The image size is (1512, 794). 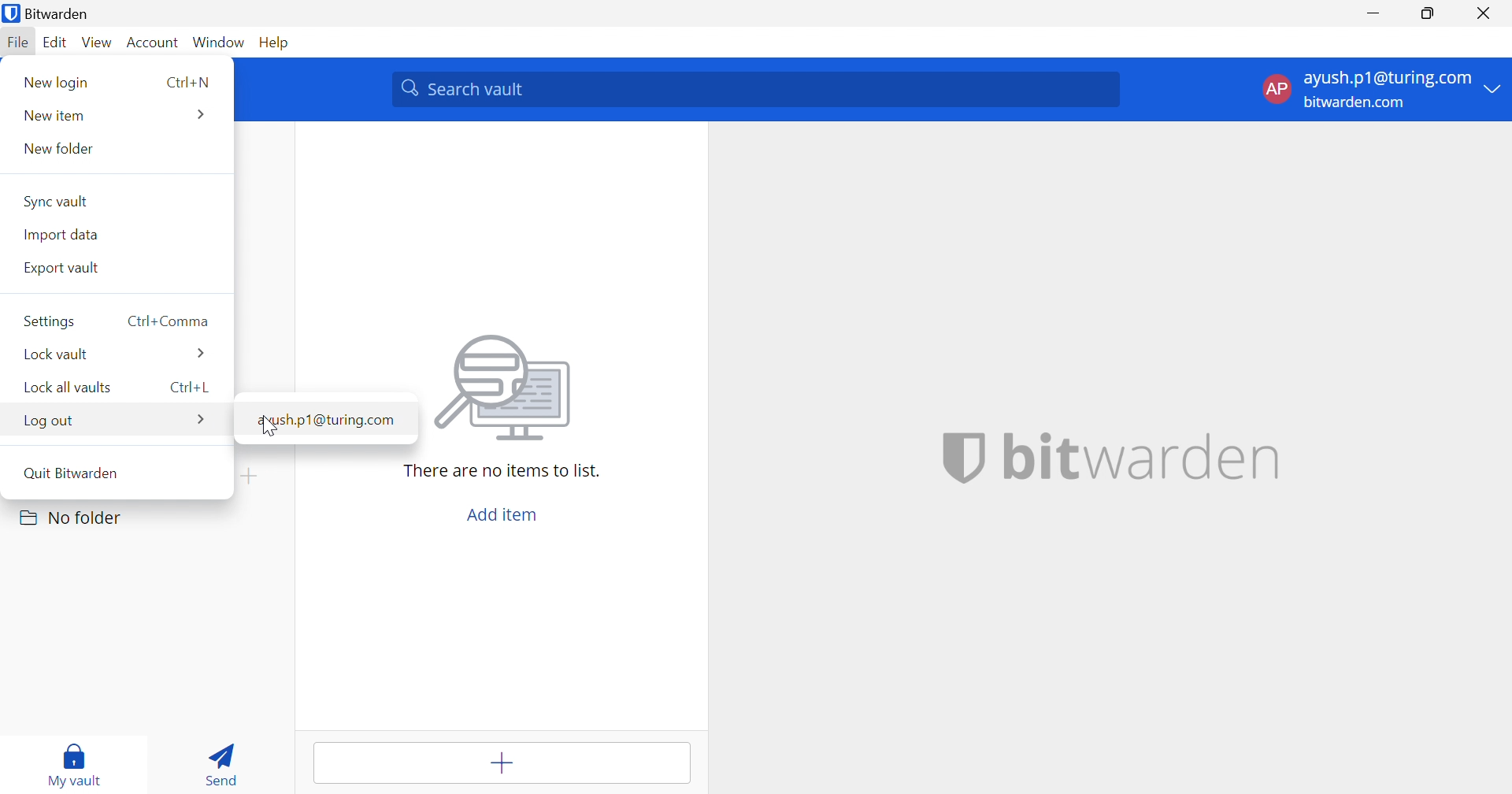 What do you see at coordinates (57, 43) in the screenshot?
I see `Edit` at bounding box center [57, 43].